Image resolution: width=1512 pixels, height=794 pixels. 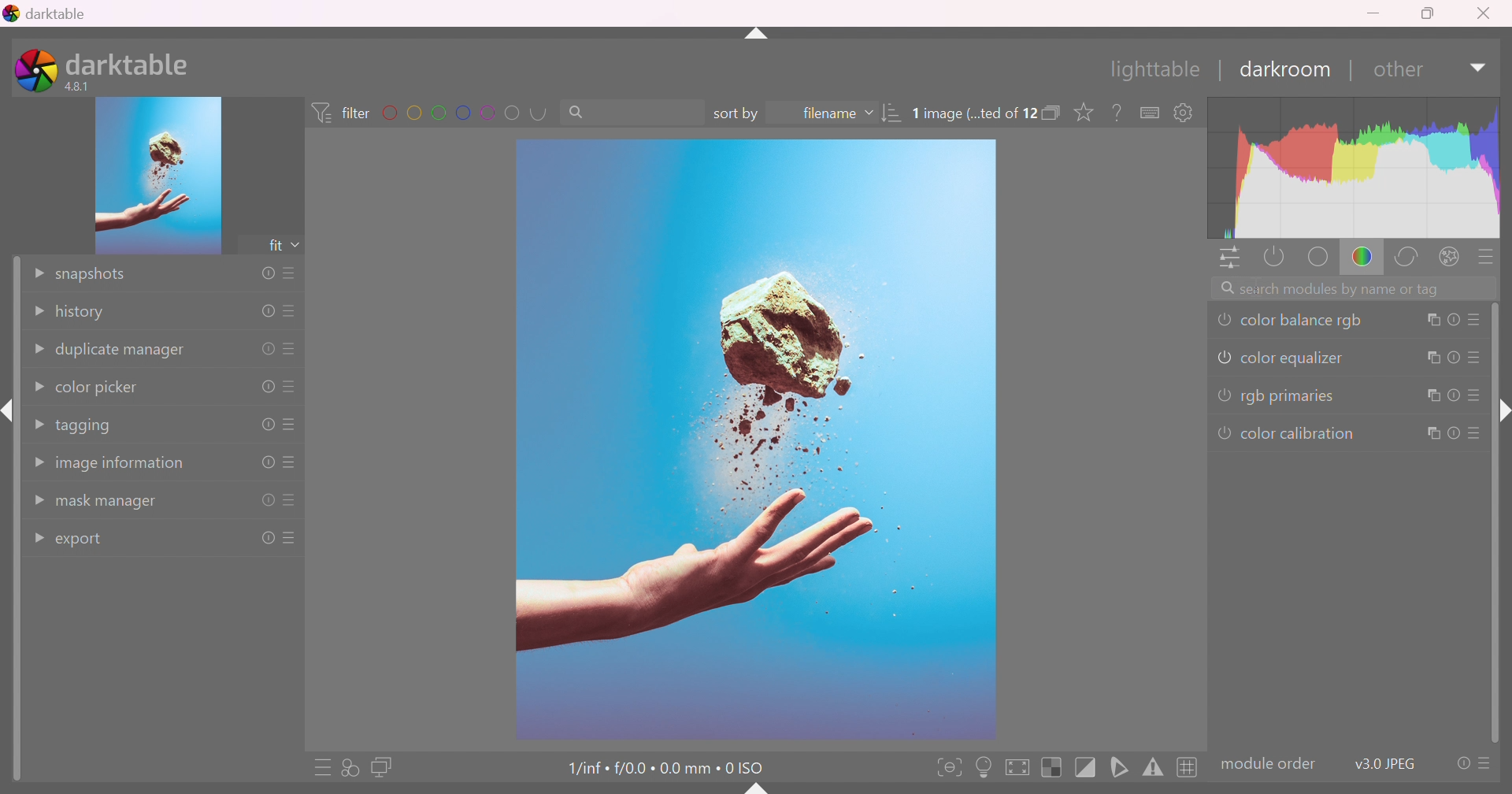 What do you see at coordinates (40, 348) in the screenshot?
I see `Drop Down` at bounding box center [40, 348].